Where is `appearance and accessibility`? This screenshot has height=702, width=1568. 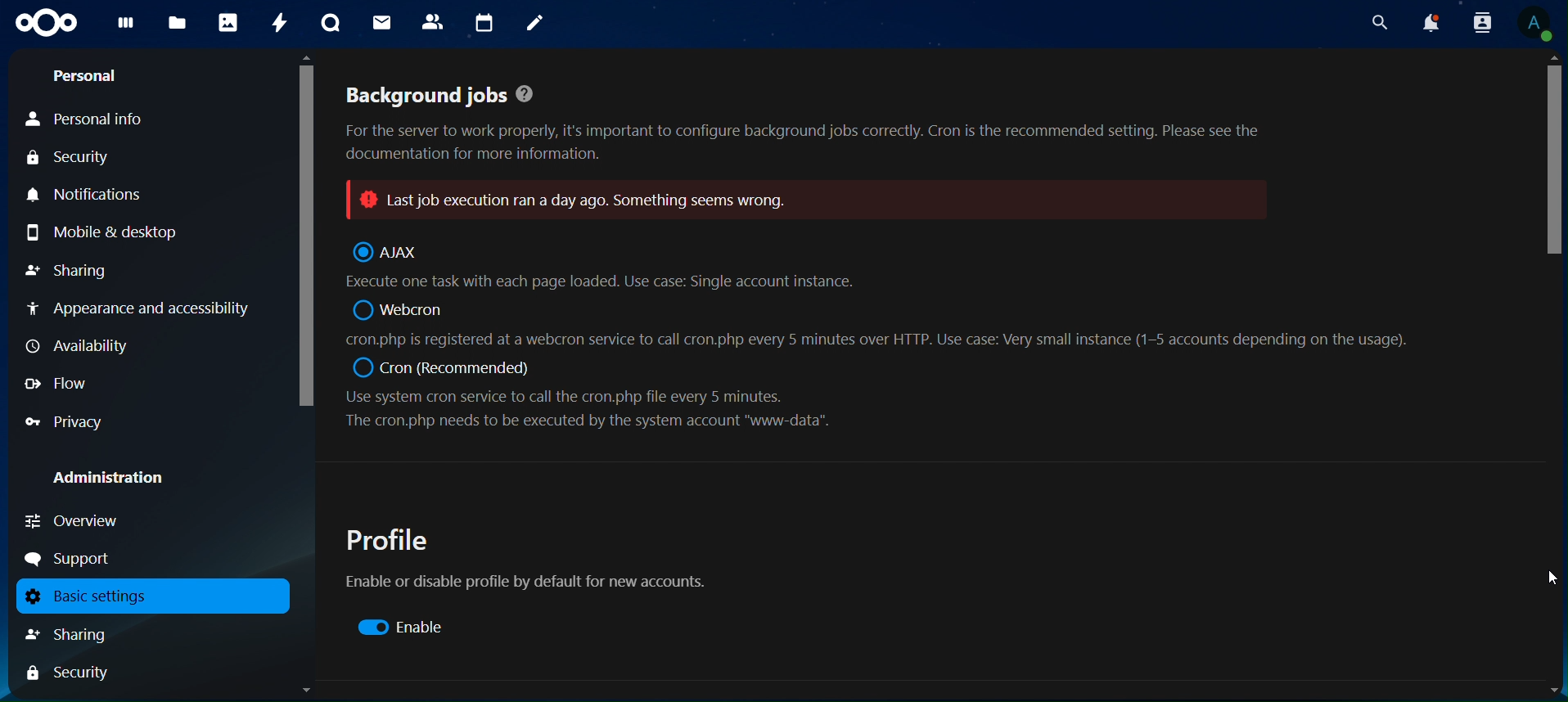 appearance and accessibility is located at coordinates (141, 311).